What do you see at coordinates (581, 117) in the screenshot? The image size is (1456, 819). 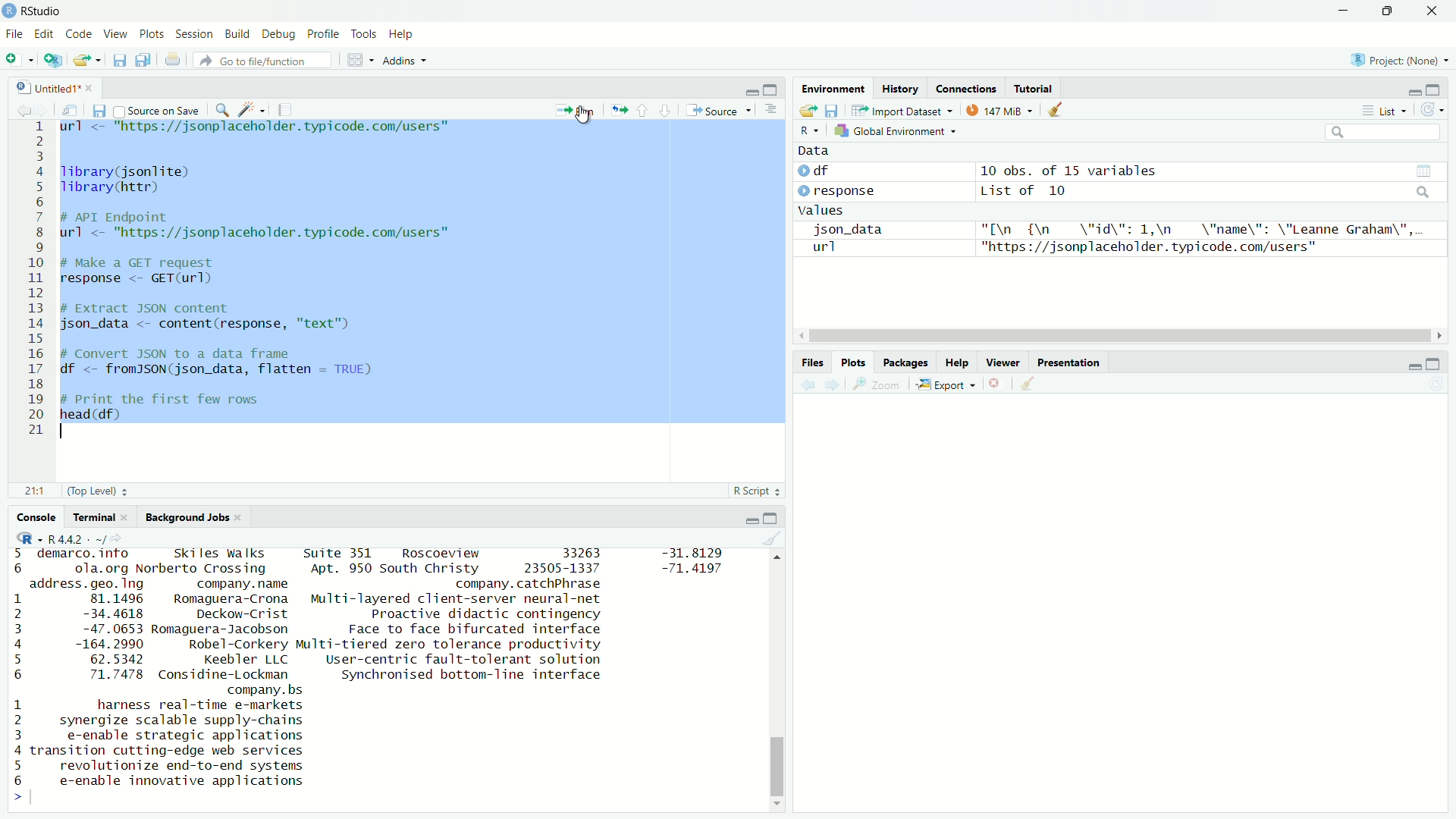 I see `Cursor` at bounding box center [581, 117].